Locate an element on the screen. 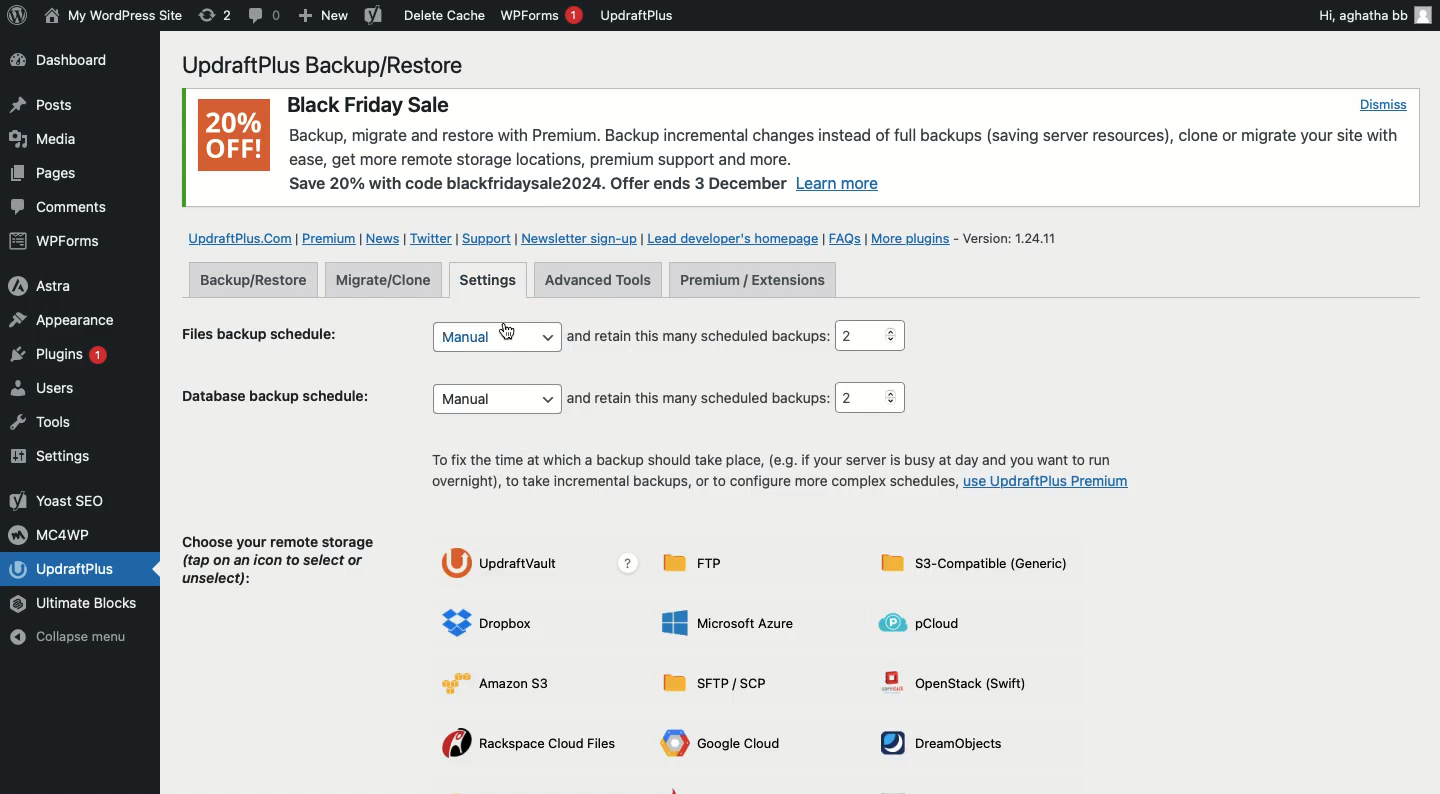  Premium extensions is located at coordinates (752, 281).